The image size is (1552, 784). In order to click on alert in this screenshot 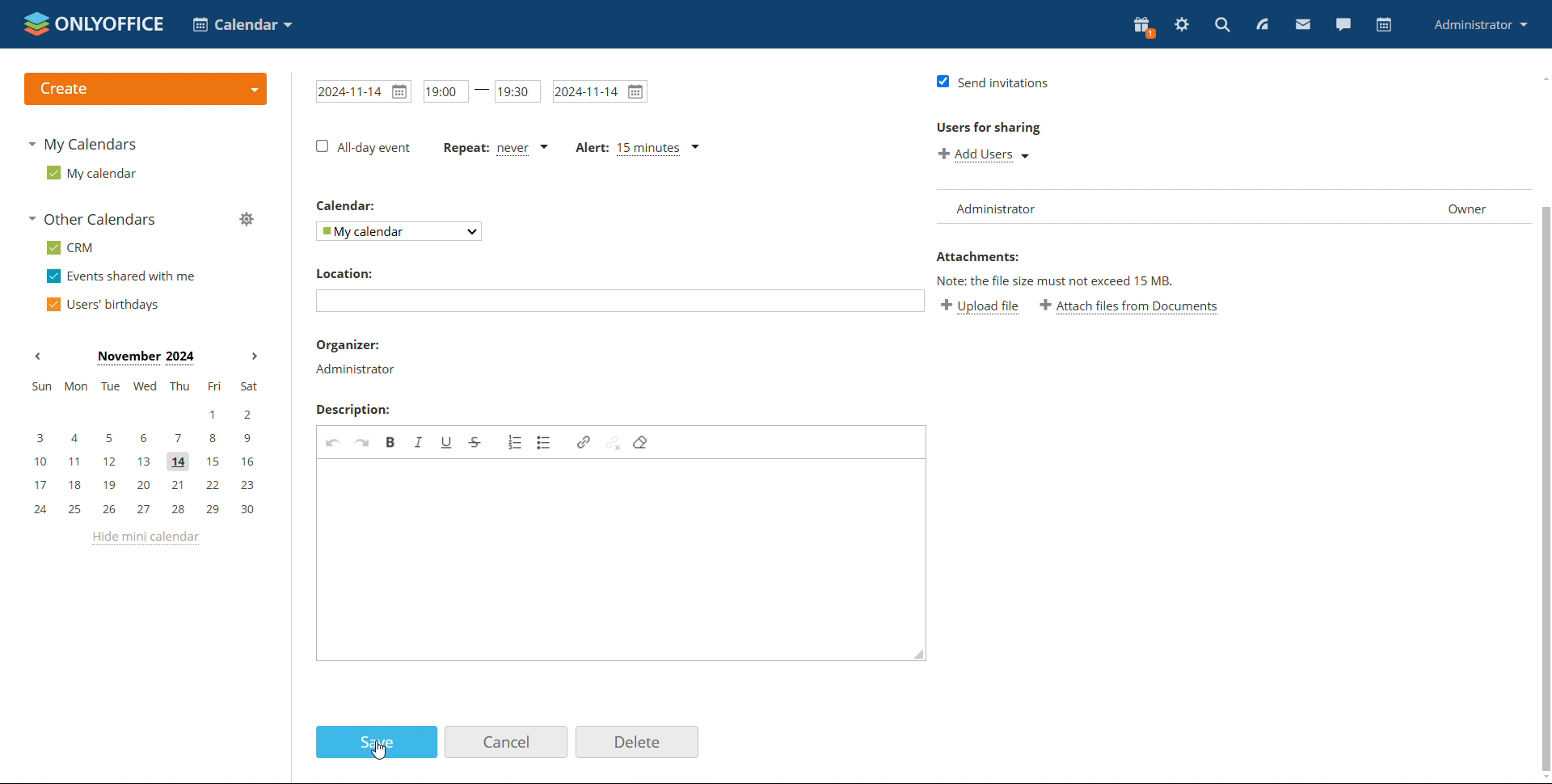, I will do `click(640, 148)`.